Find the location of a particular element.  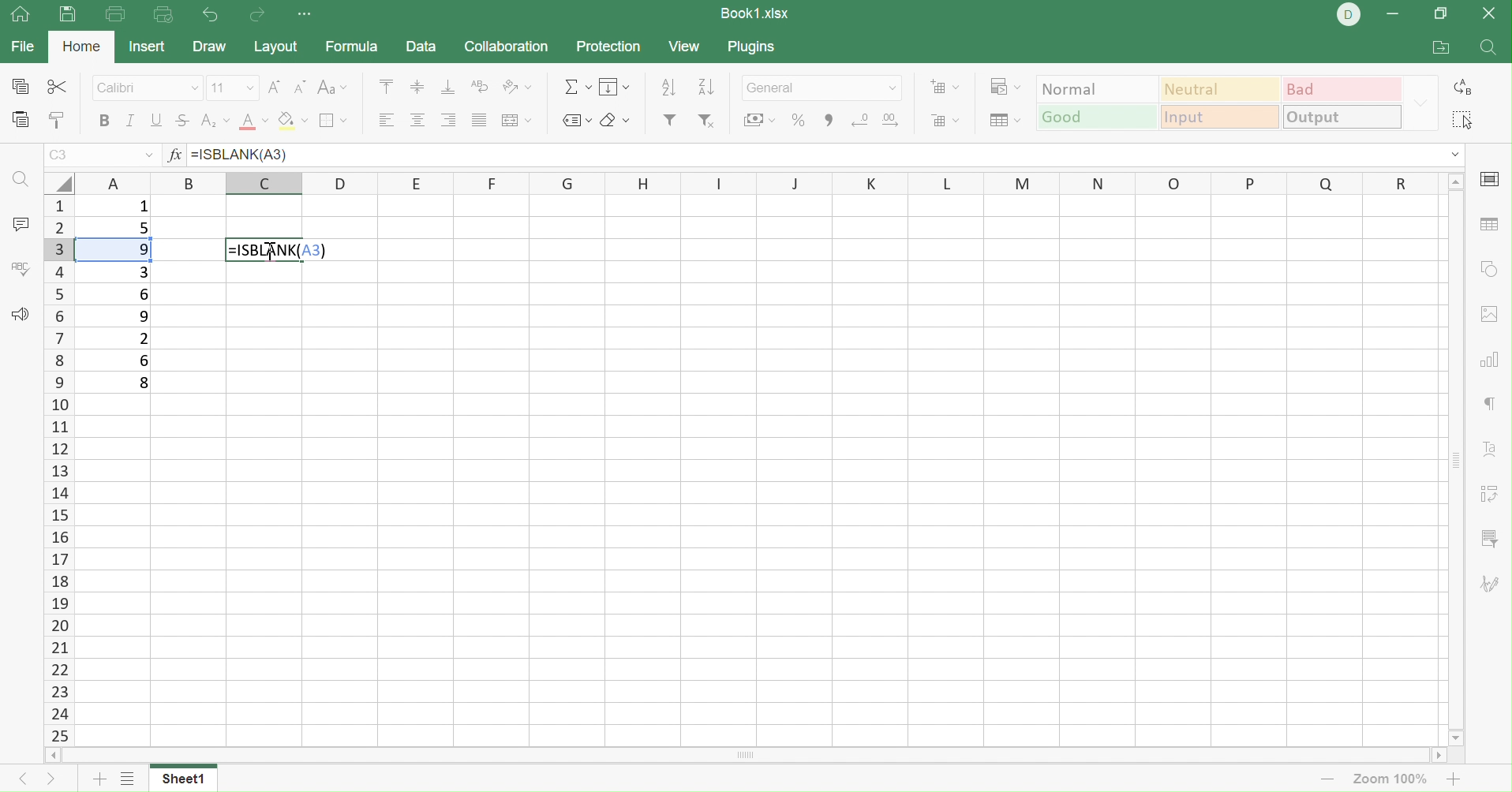

Slide settings is located at coordinates (1491, 179).